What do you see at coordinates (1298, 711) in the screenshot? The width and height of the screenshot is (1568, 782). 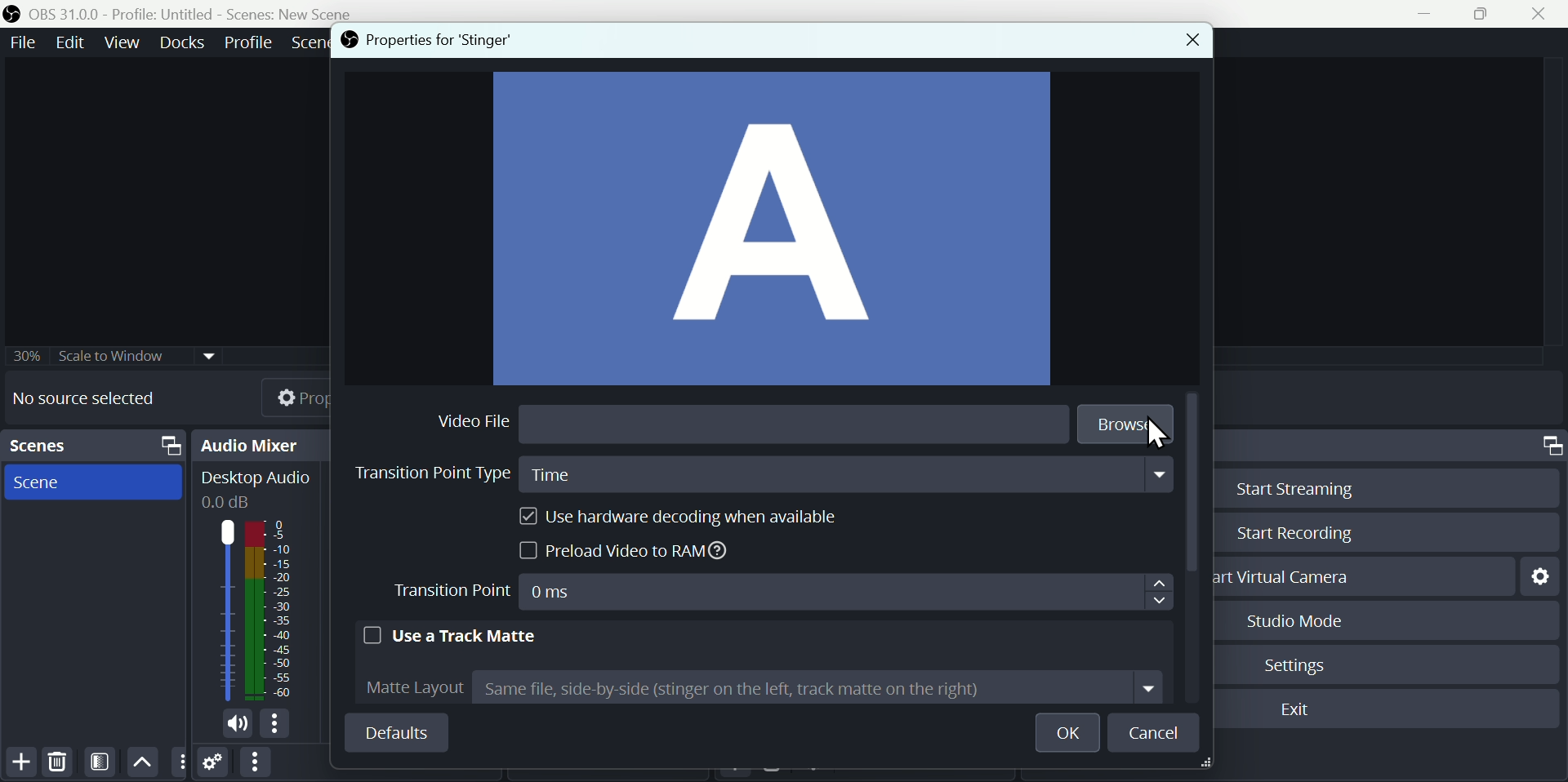 I see `Exit` at bounding box center [1298, 711].